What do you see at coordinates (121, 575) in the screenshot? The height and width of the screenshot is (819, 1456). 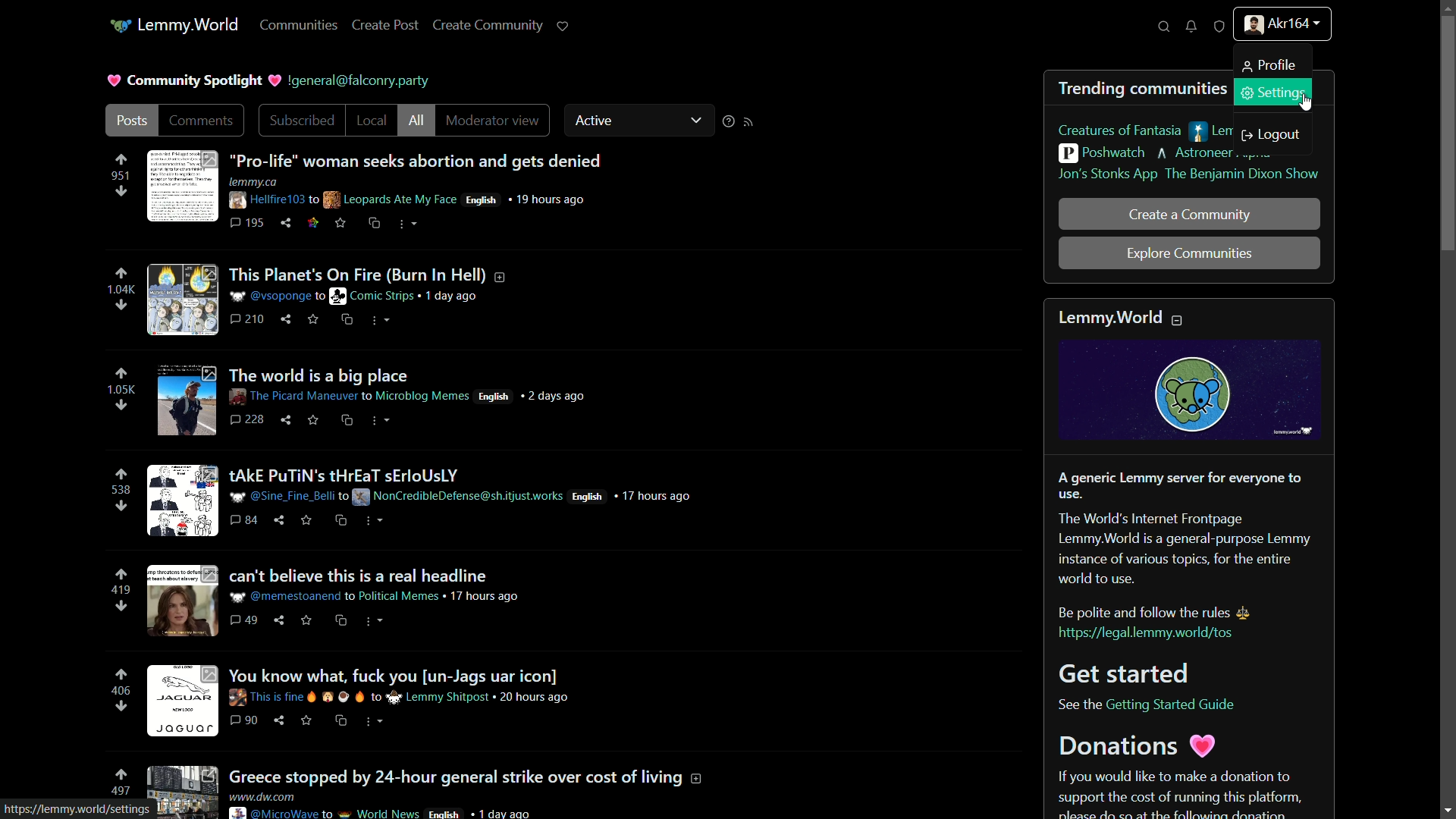 I see `upvote` at bounding box center [121, 575].